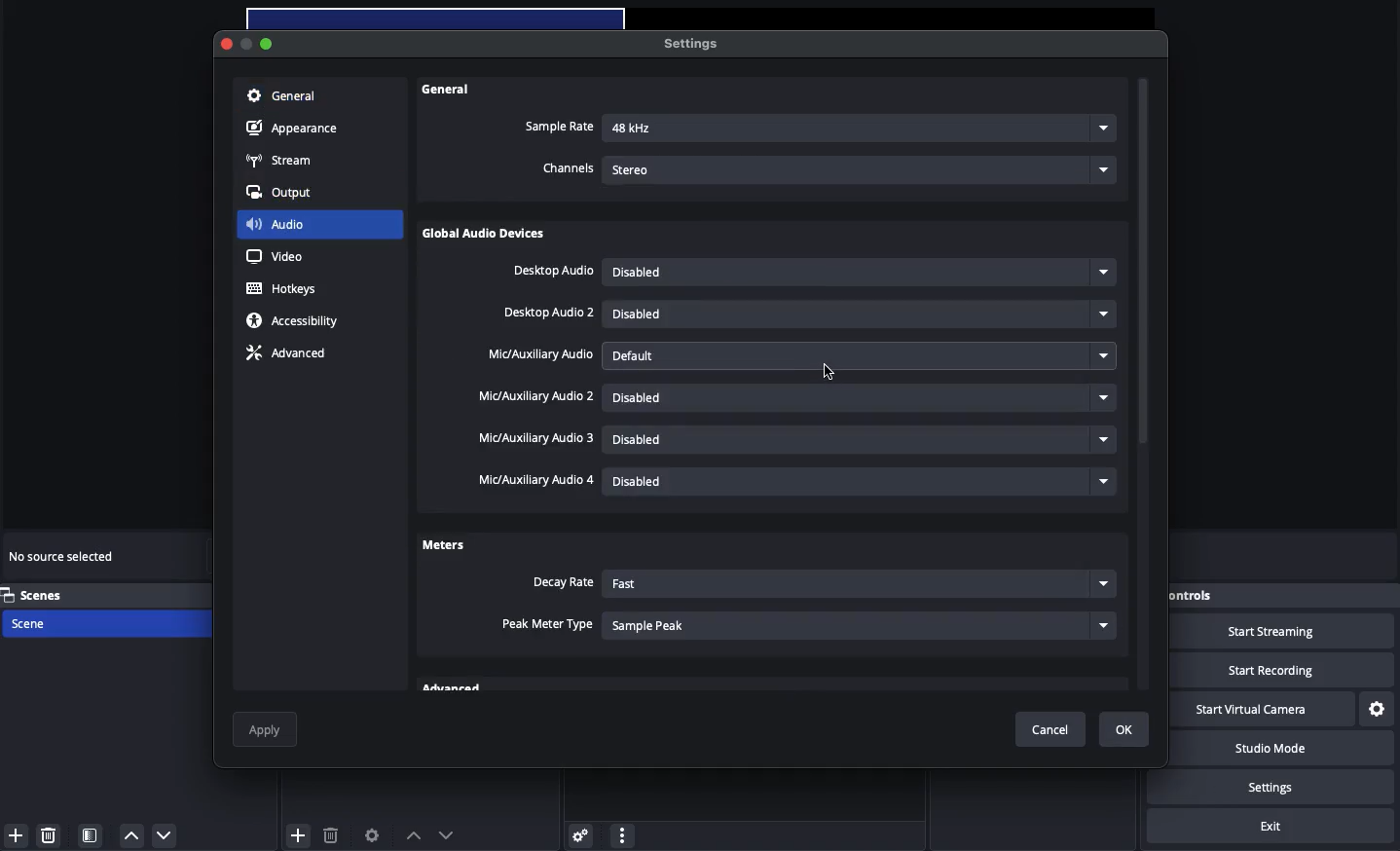 This screenshot has height=851, width=1400. What do you see at coordinates (46, 595) in the screenshot?
I see `Scenes` at bounding box center [46, 595].